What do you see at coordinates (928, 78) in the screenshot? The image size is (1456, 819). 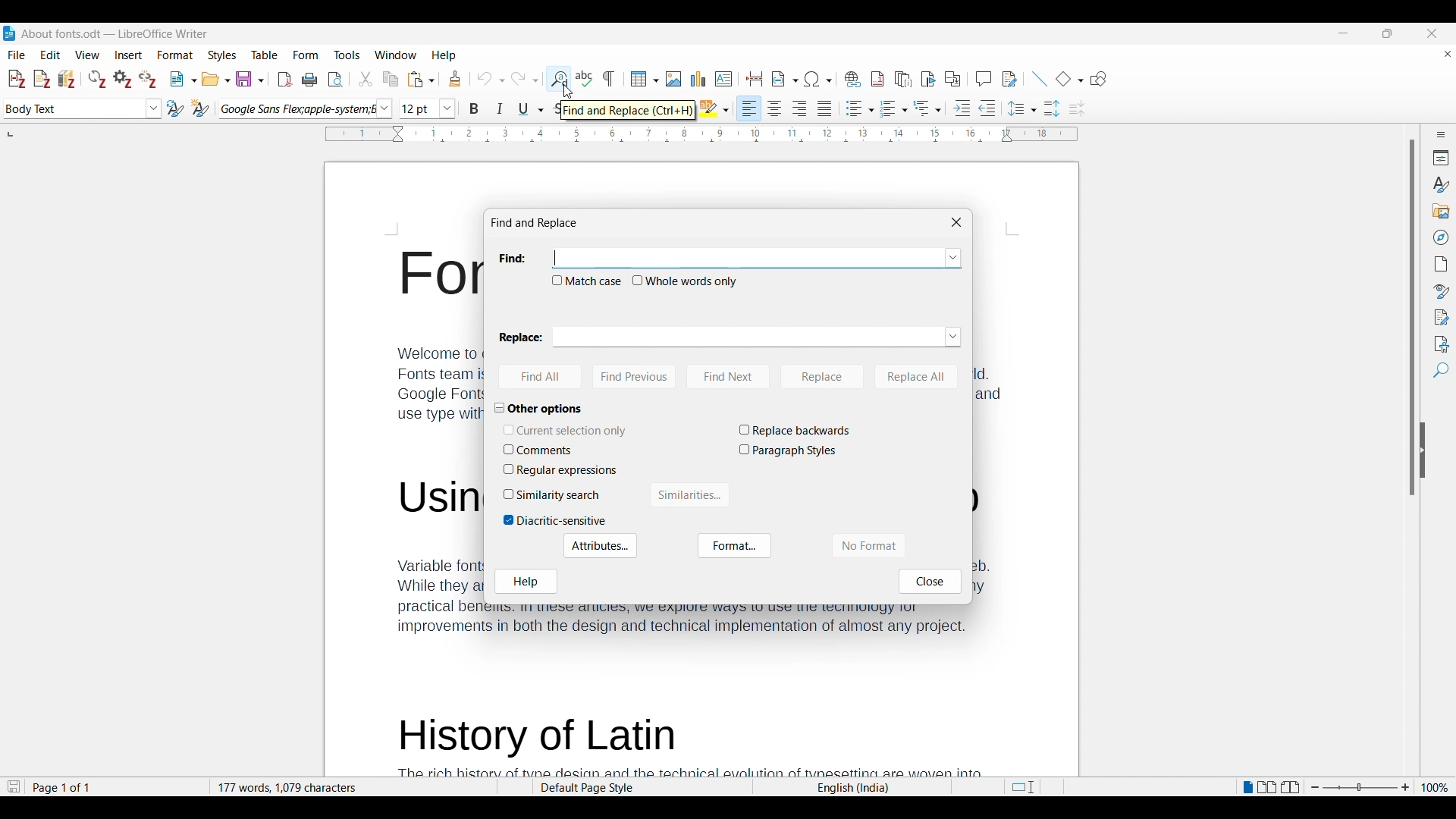 I see `Insert bookmark` at bounding box center [928, 78].